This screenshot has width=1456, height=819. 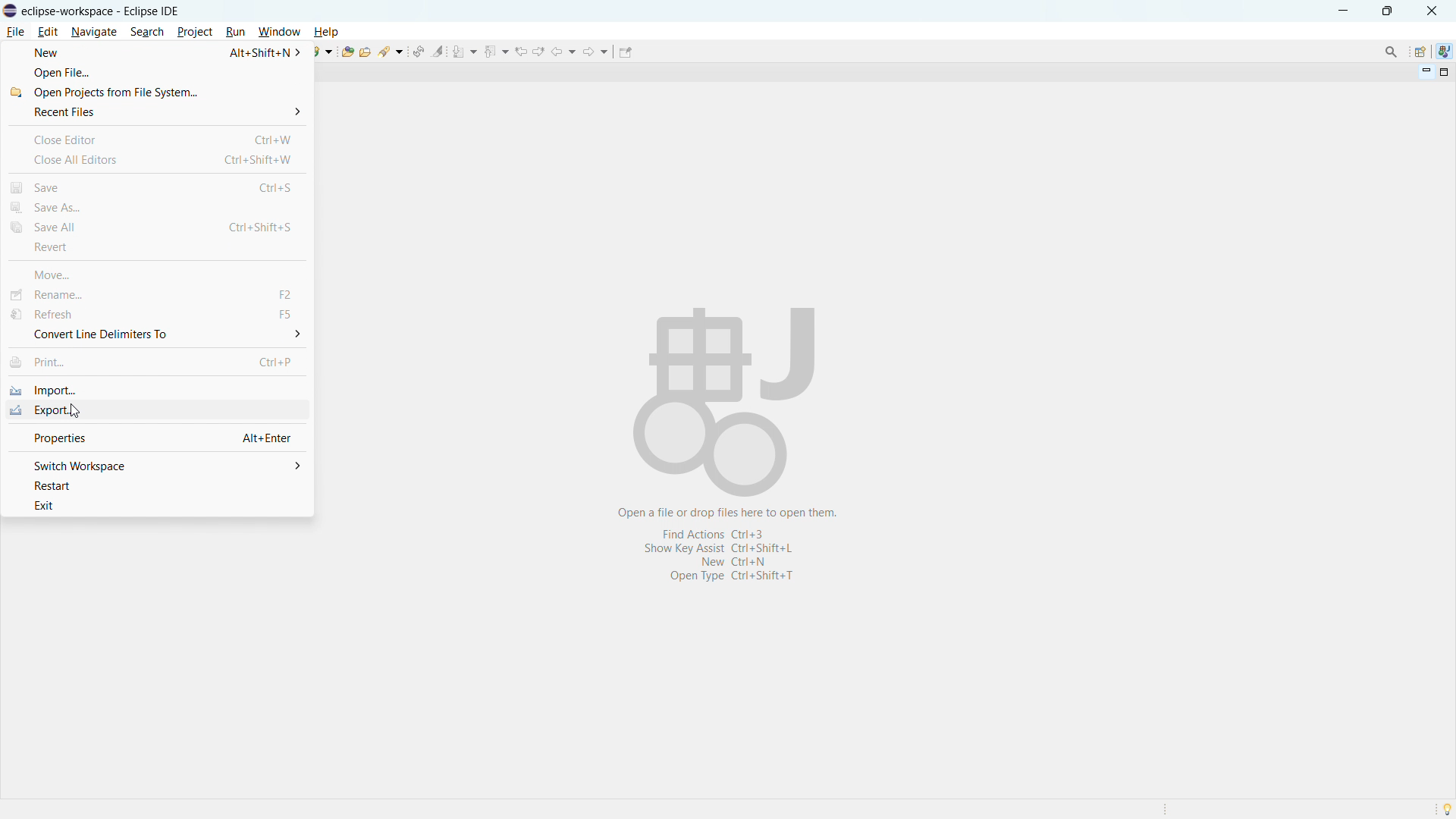 What do you see at coordinates (235, 32) in the screenshot?
I see `run` at bounding box center [235, 32].